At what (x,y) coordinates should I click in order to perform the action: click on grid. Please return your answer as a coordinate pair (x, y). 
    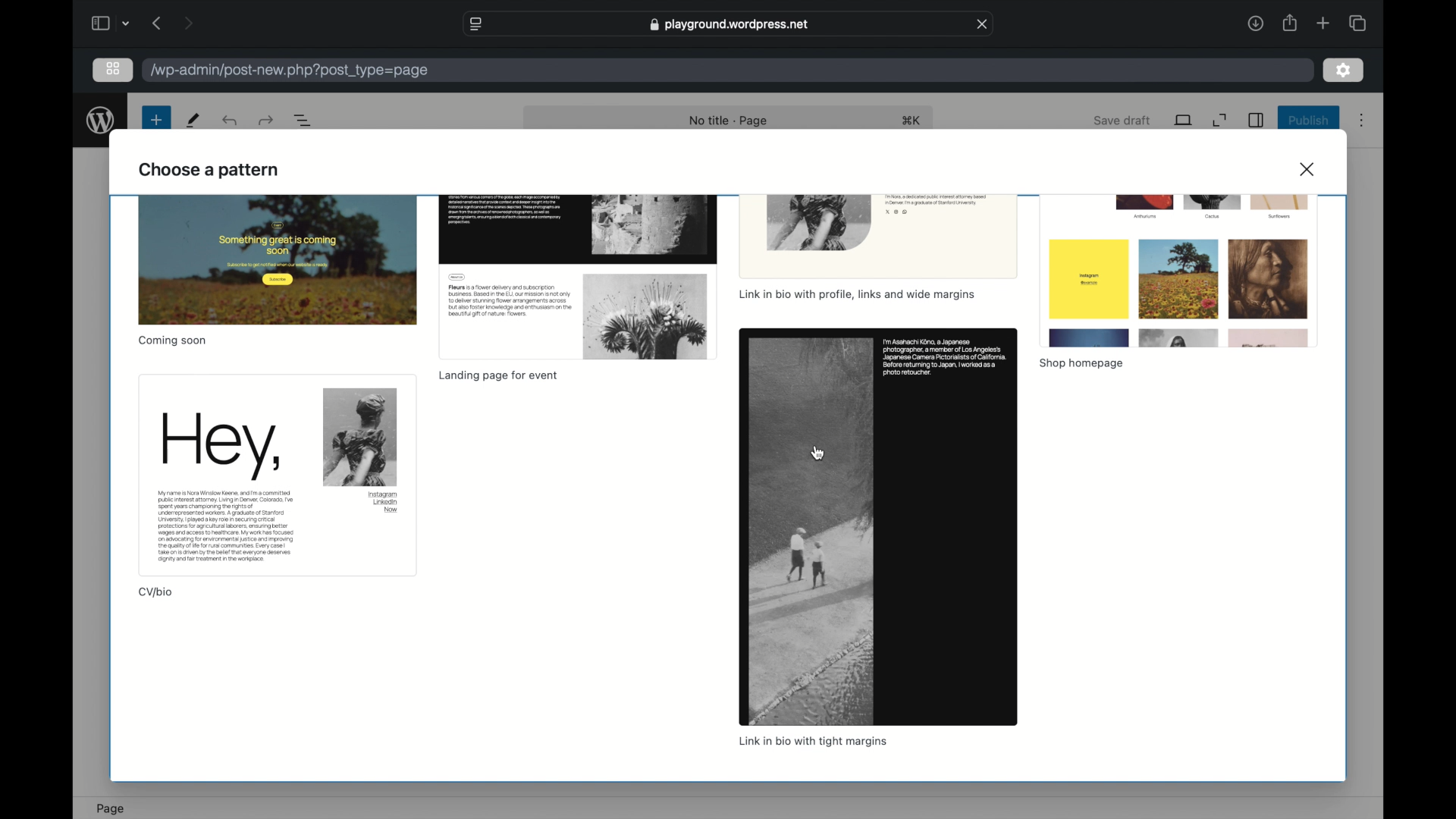
    Looking at the image, I should click on (112, 68).